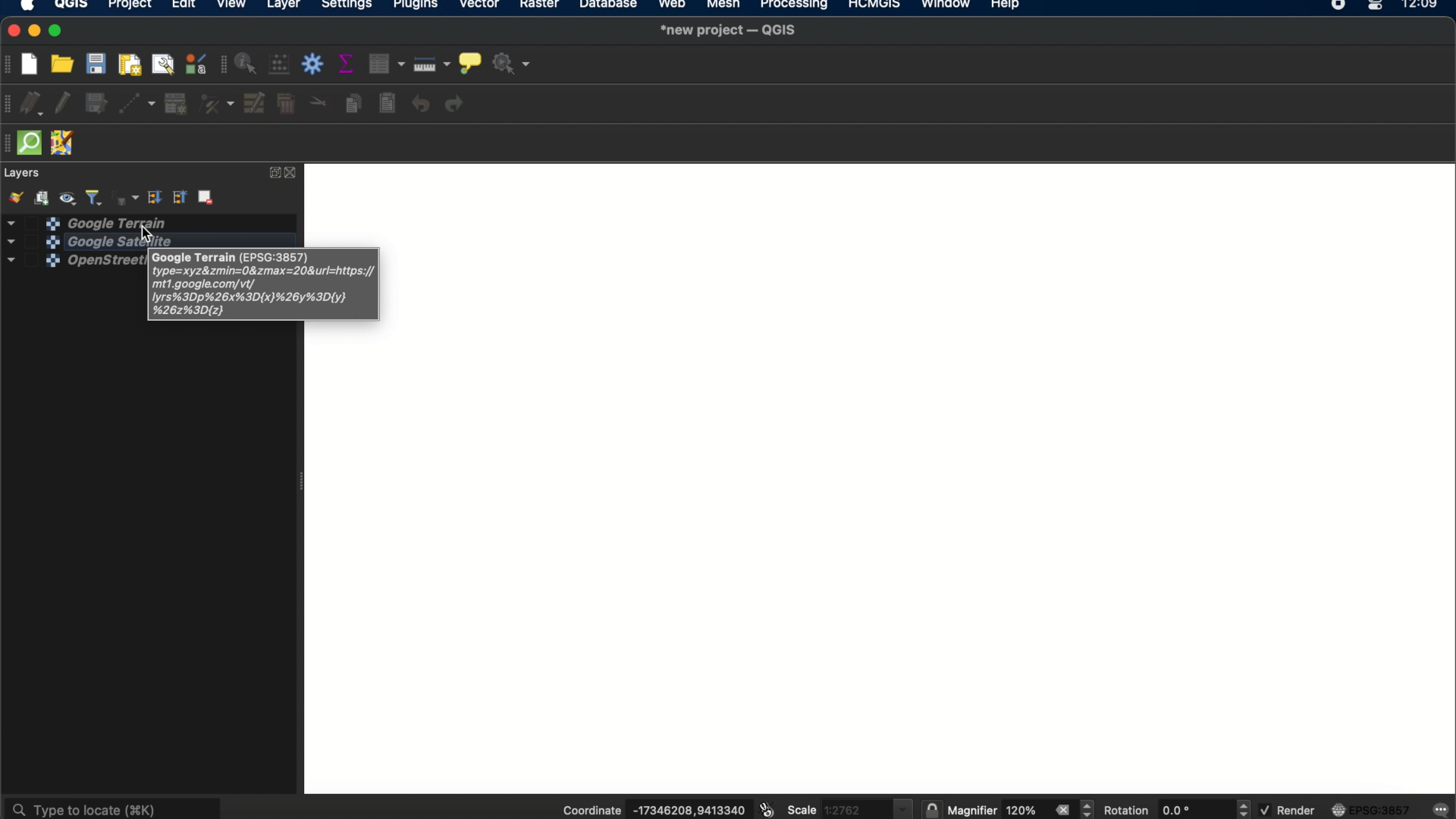  I want to click on new project, so click(34, 62).